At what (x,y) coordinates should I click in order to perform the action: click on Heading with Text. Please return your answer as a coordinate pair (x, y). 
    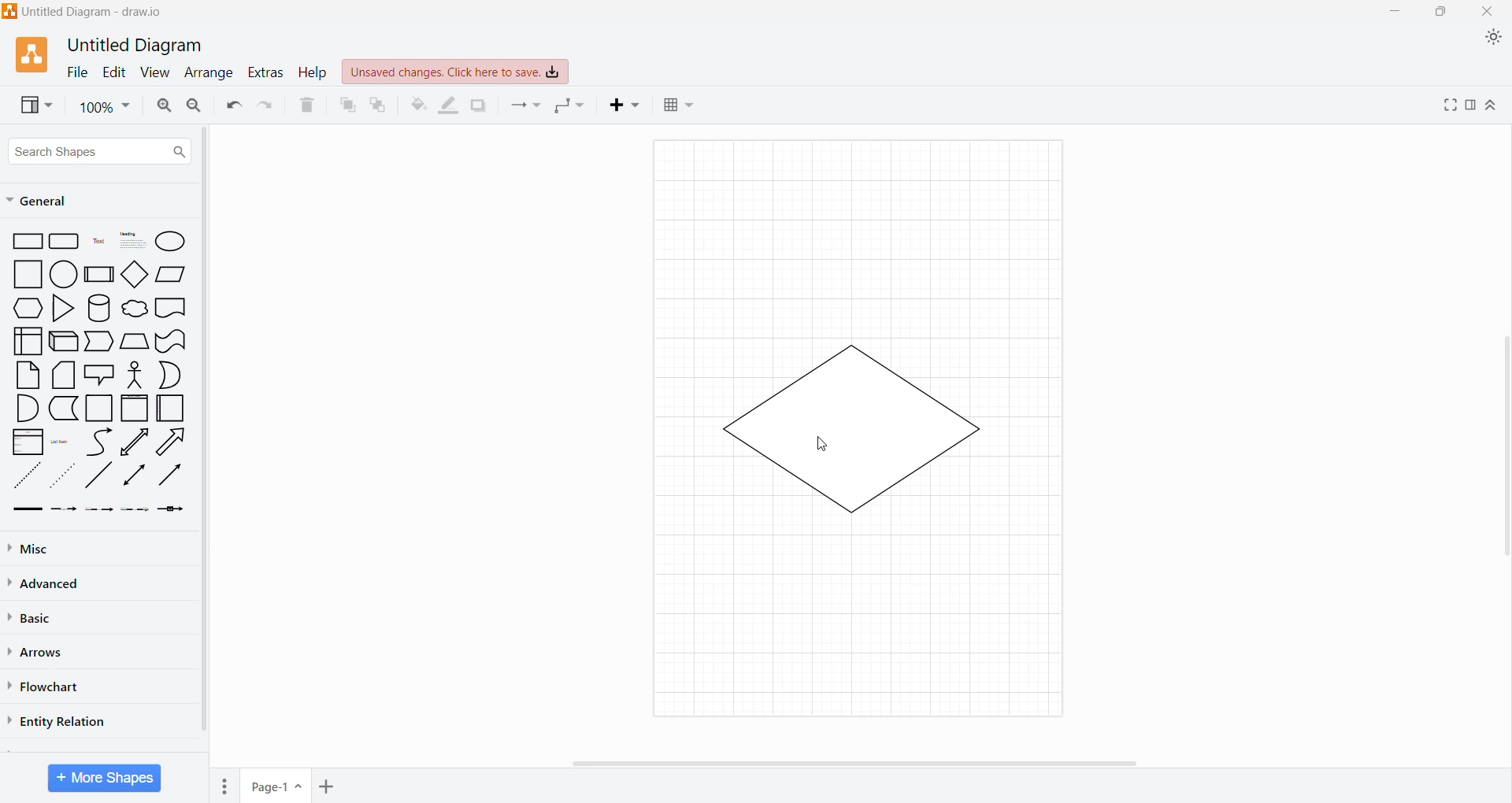
    Looking at the image, I should click on (134, 242).